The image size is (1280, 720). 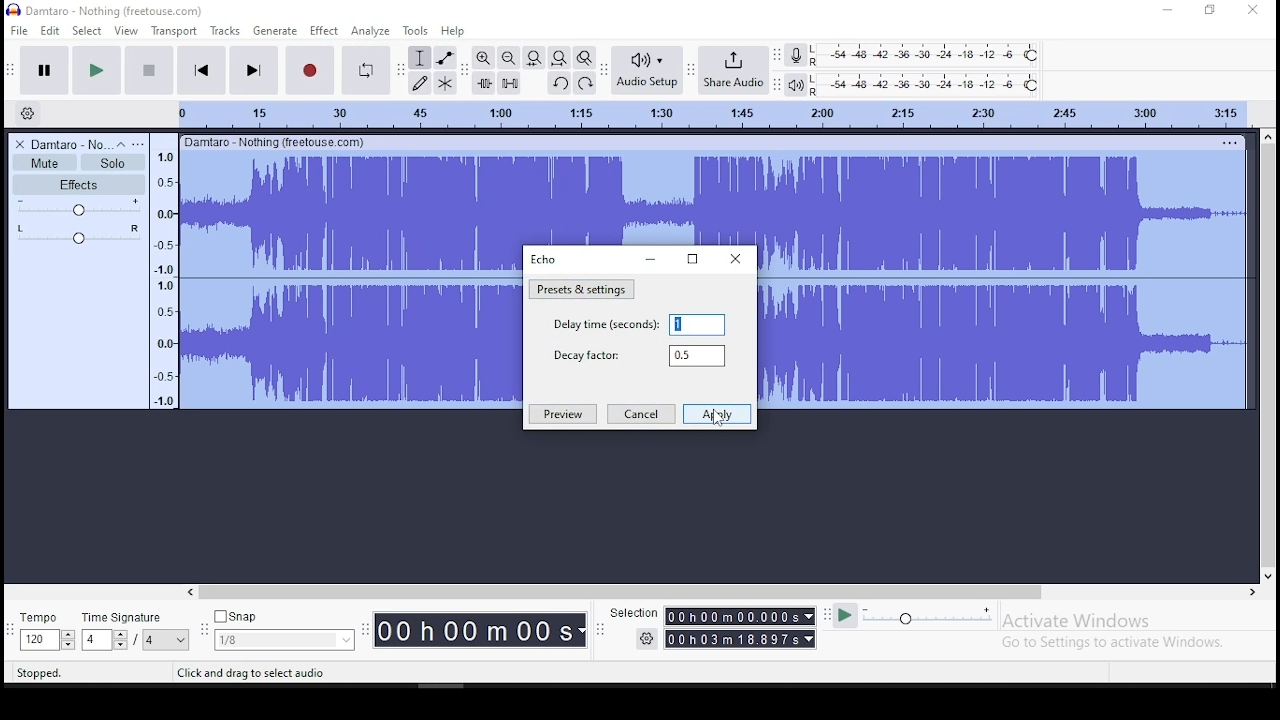 I want to click on audio setup, so click(x=647, y=69).